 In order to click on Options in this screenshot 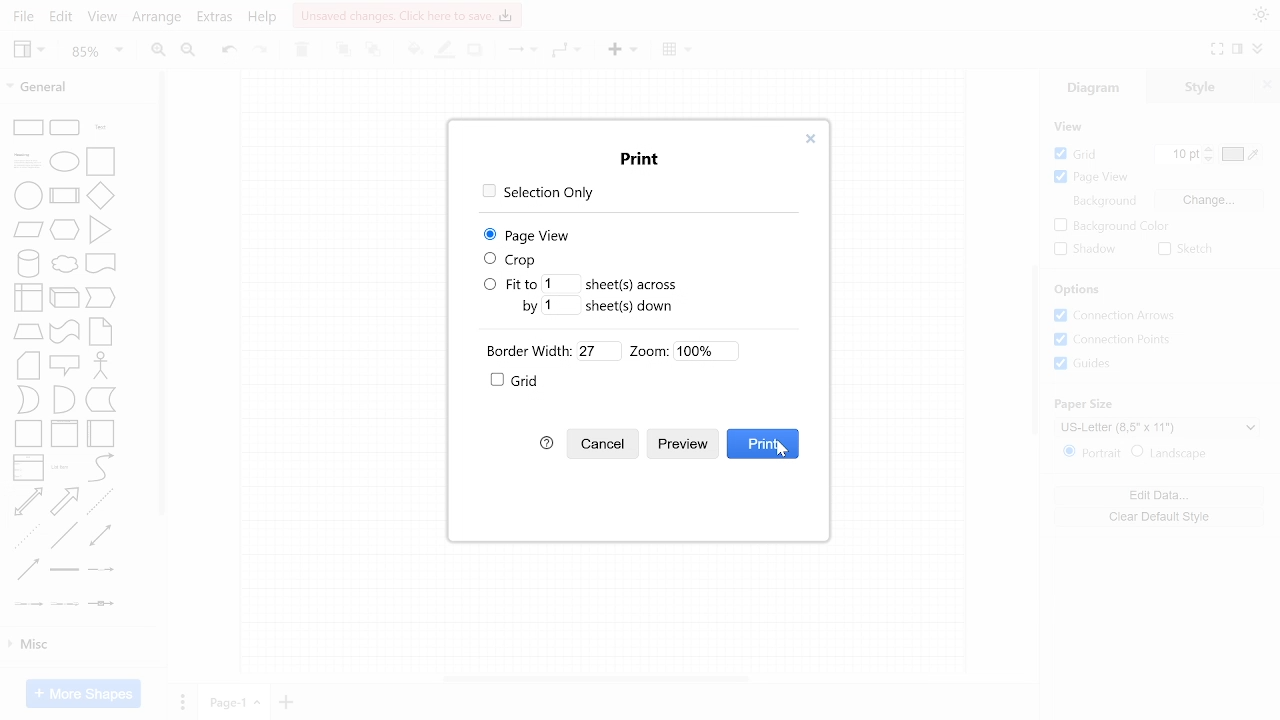, I will do `click(1077, 289)`.